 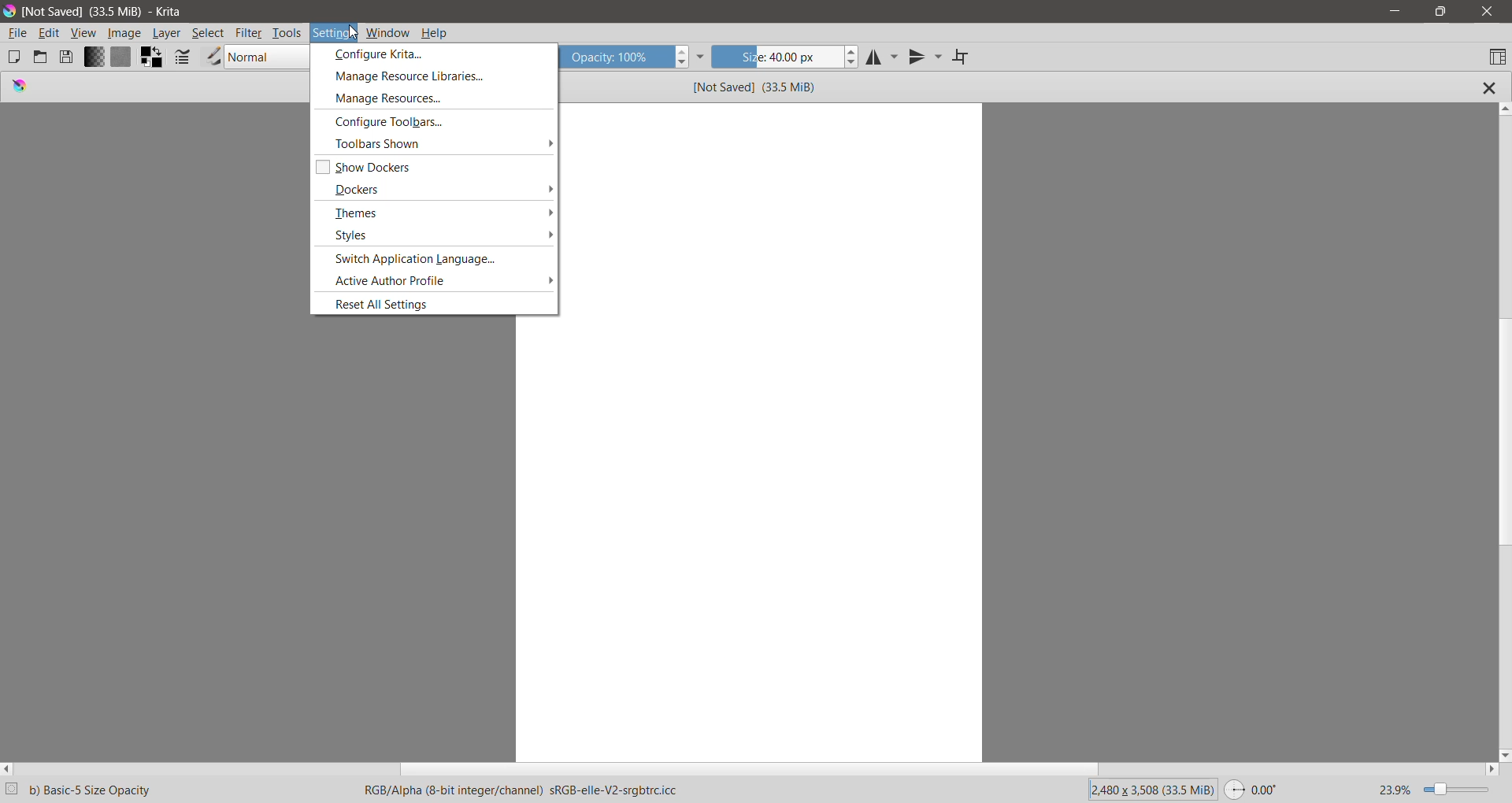 What do you see at coordinates (125, 35) in the screenshot?
I see `Image` at bounding box center [125, 35].